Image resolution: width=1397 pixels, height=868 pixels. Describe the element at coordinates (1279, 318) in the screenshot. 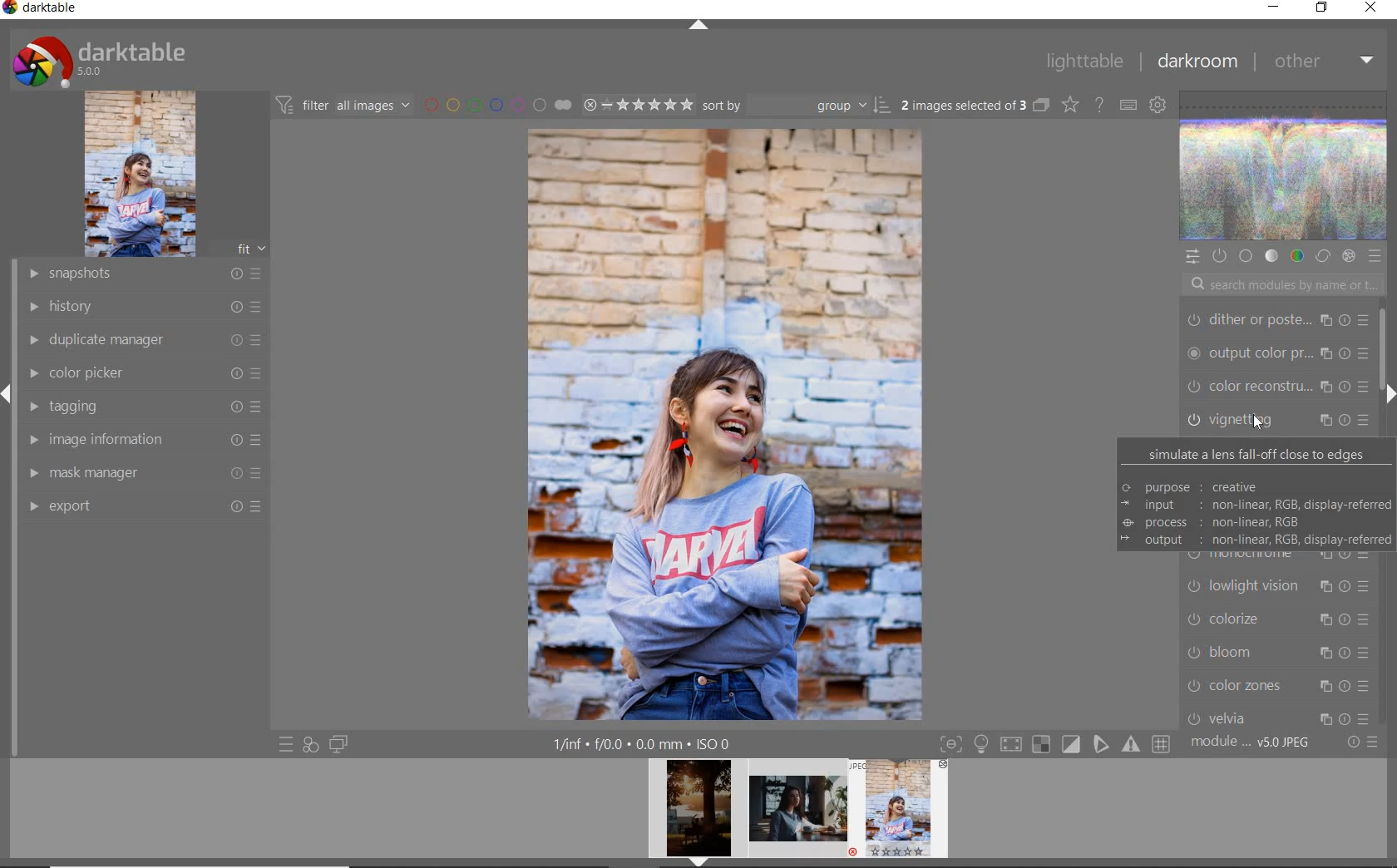

I see `graduated density` at that location.